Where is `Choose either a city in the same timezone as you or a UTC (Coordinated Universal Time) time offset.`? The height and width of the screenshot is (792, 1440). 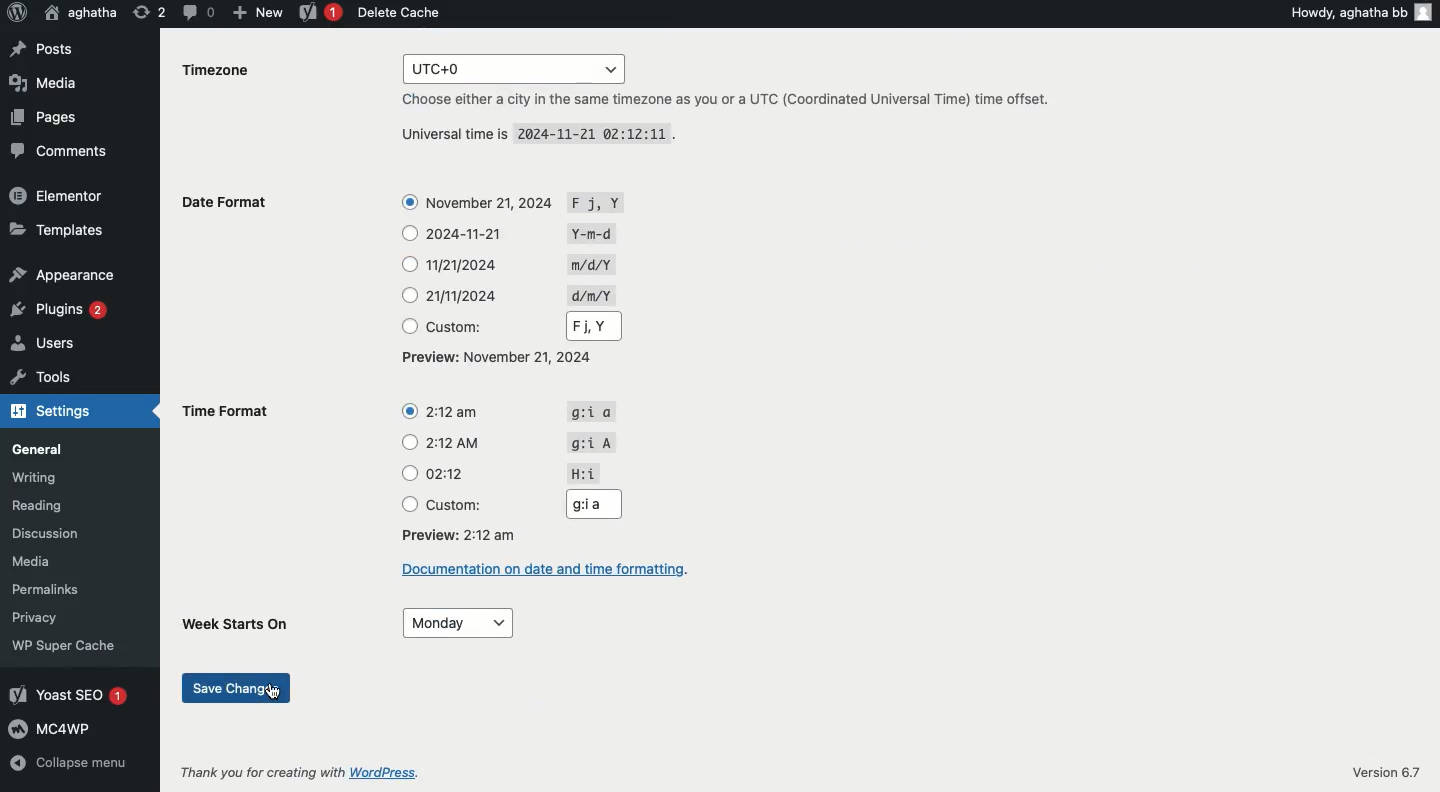 Choose either a city in the same timezone as you or a UTC (Coordinated Universal Time) time offset. is located at coordinates (727, 101).